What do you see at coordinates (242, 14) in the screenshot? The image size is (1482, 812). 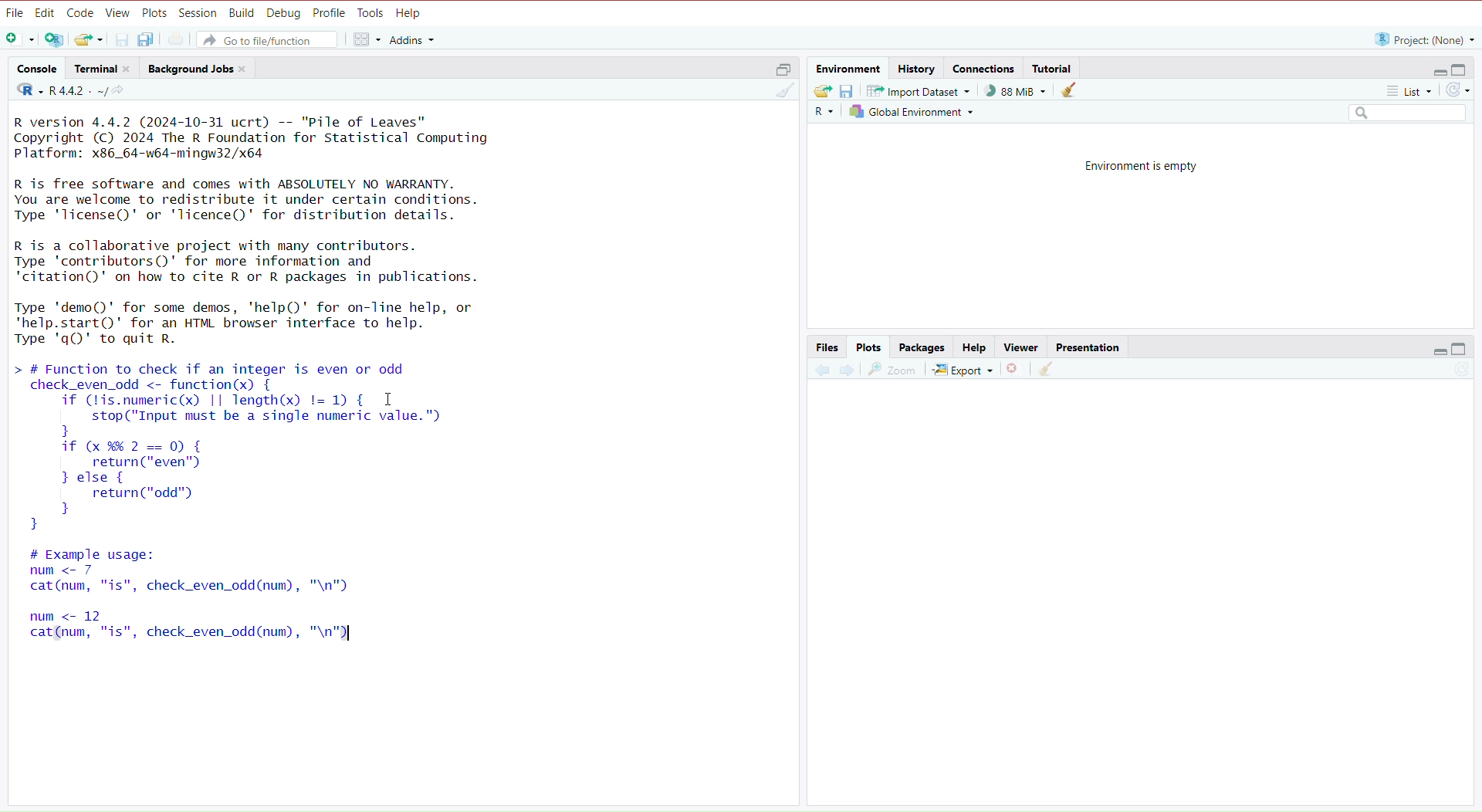 I see `build` at bounding box center [242, 14].